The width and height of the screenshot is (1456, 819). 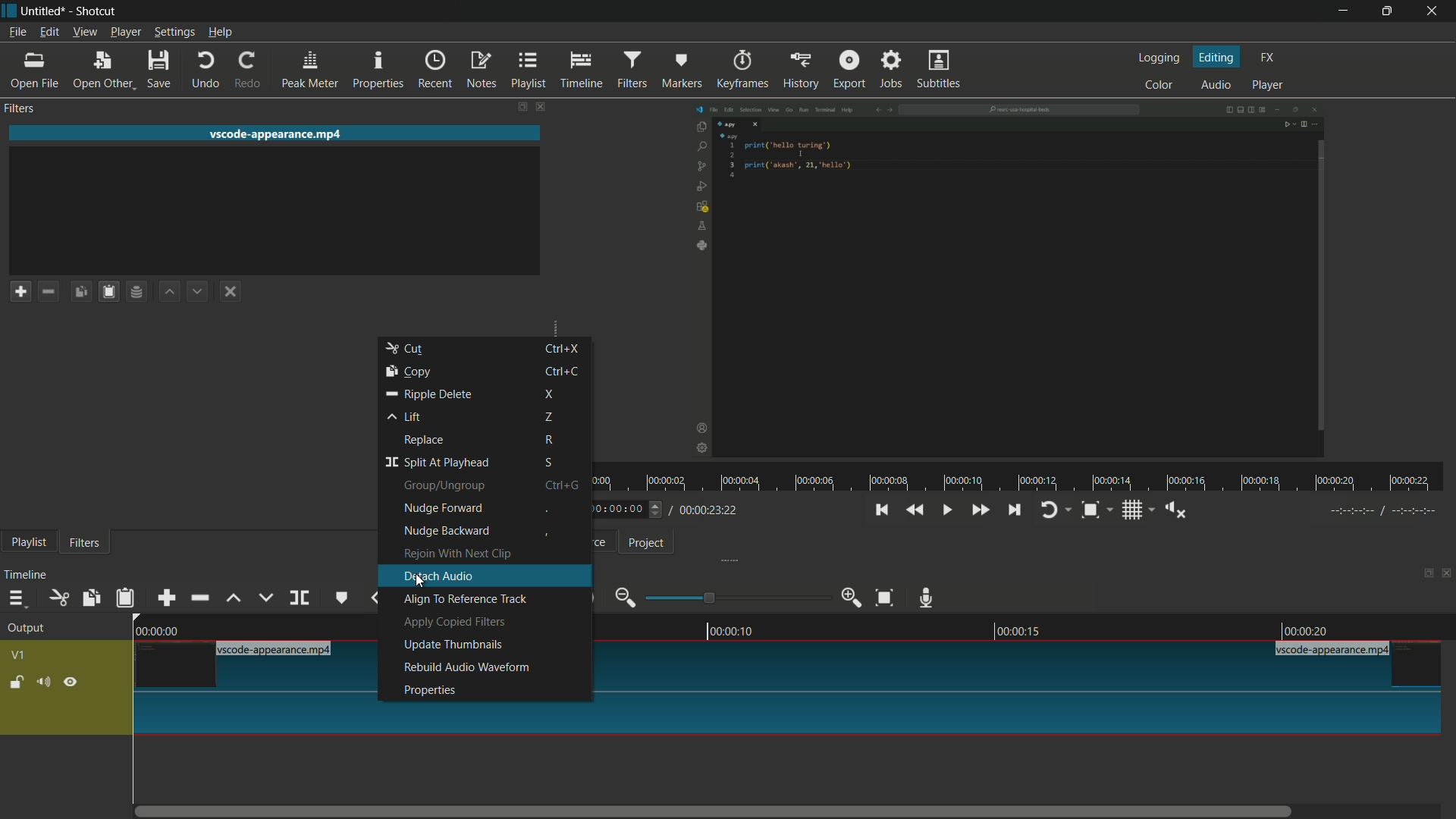 What do you see at coordinates (1385, 11) in the screenshot?
I see `maximize` at bounding box center [1385, 11].